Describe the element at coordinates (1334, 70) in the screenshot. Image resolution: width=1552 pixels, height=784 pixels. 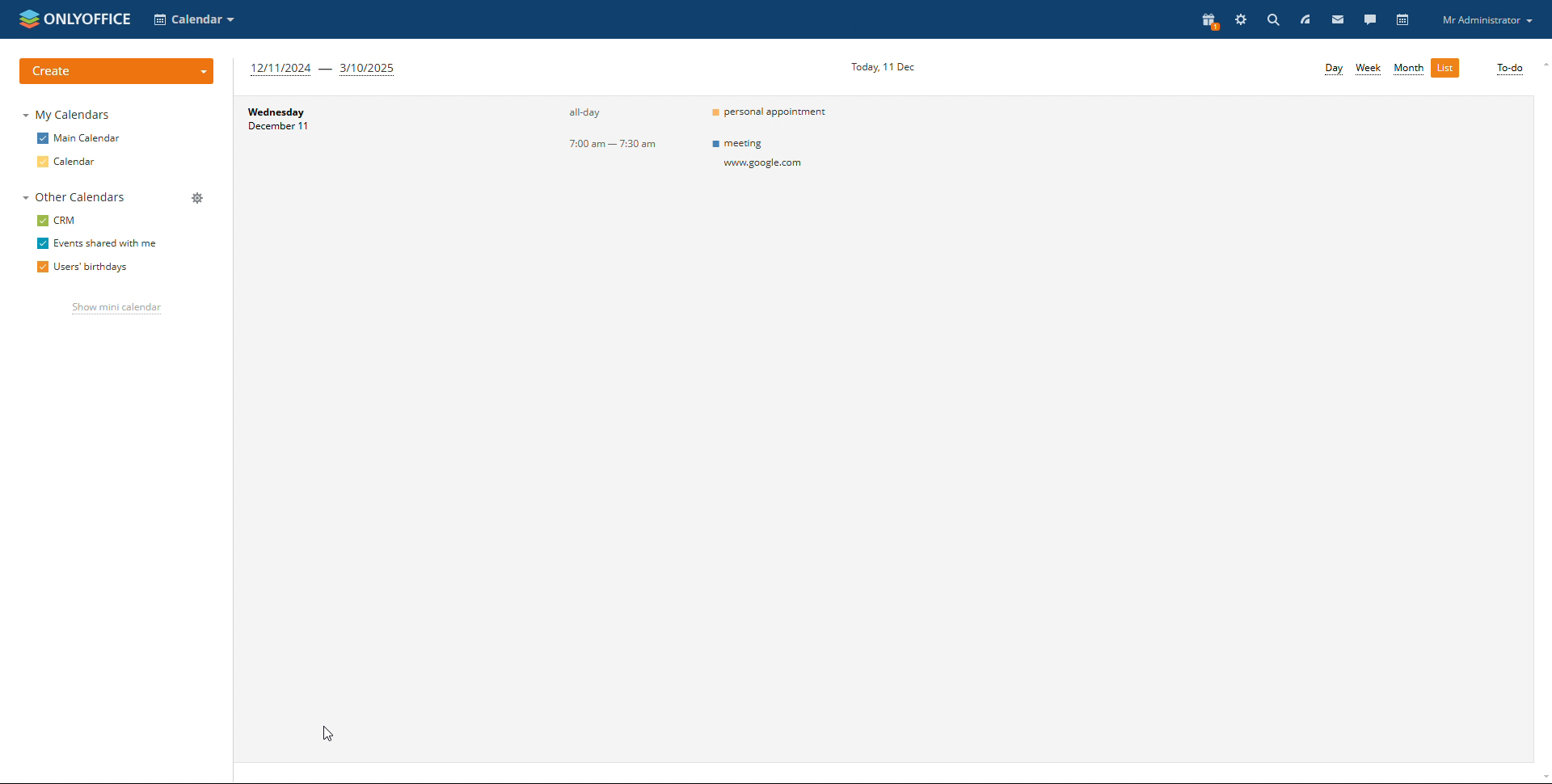
I see `day view` at that location.